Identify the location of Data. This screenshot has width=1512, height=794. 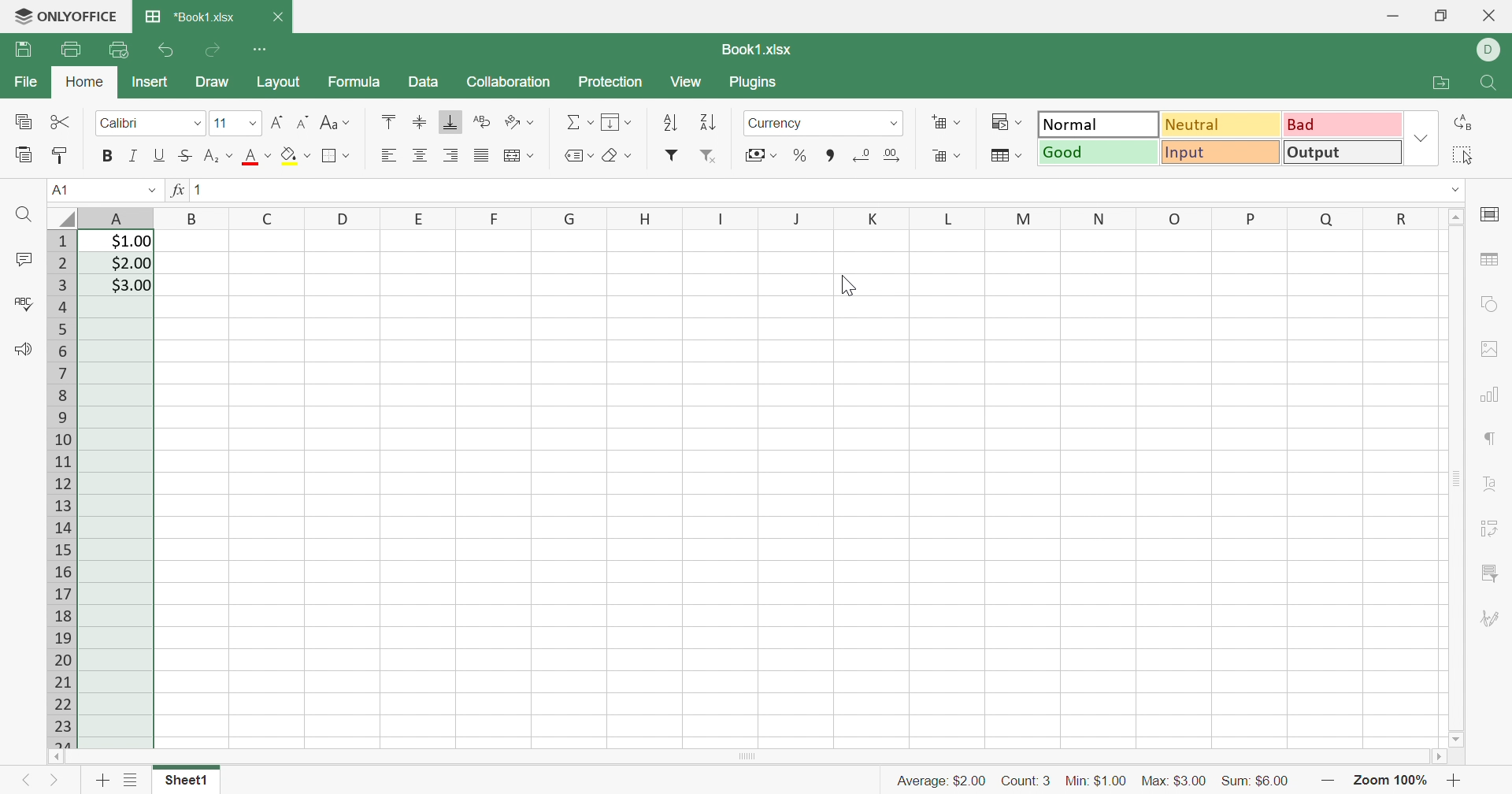
(423, 83).